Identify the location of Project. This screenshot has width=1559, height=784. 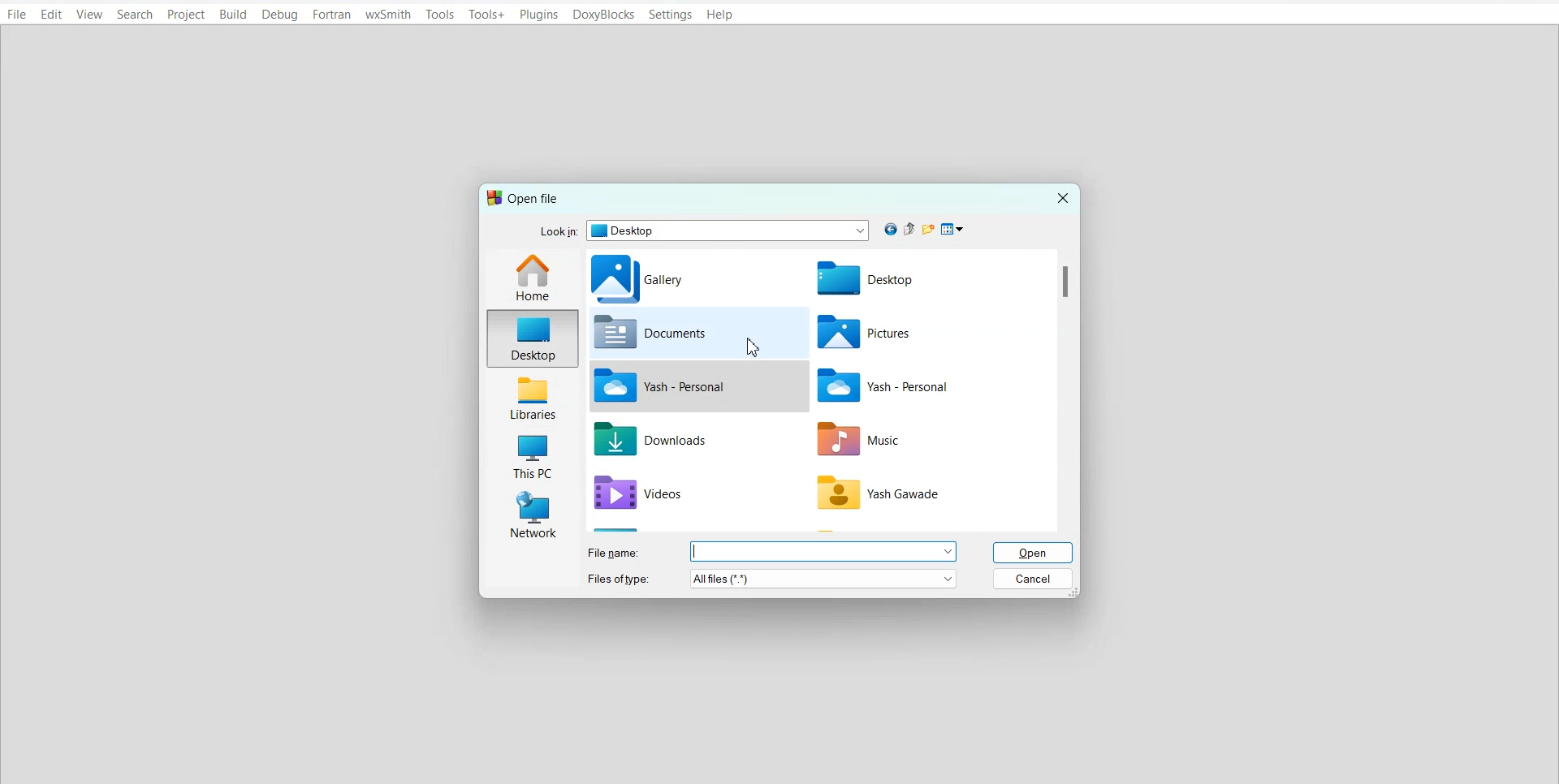
(185, 15).